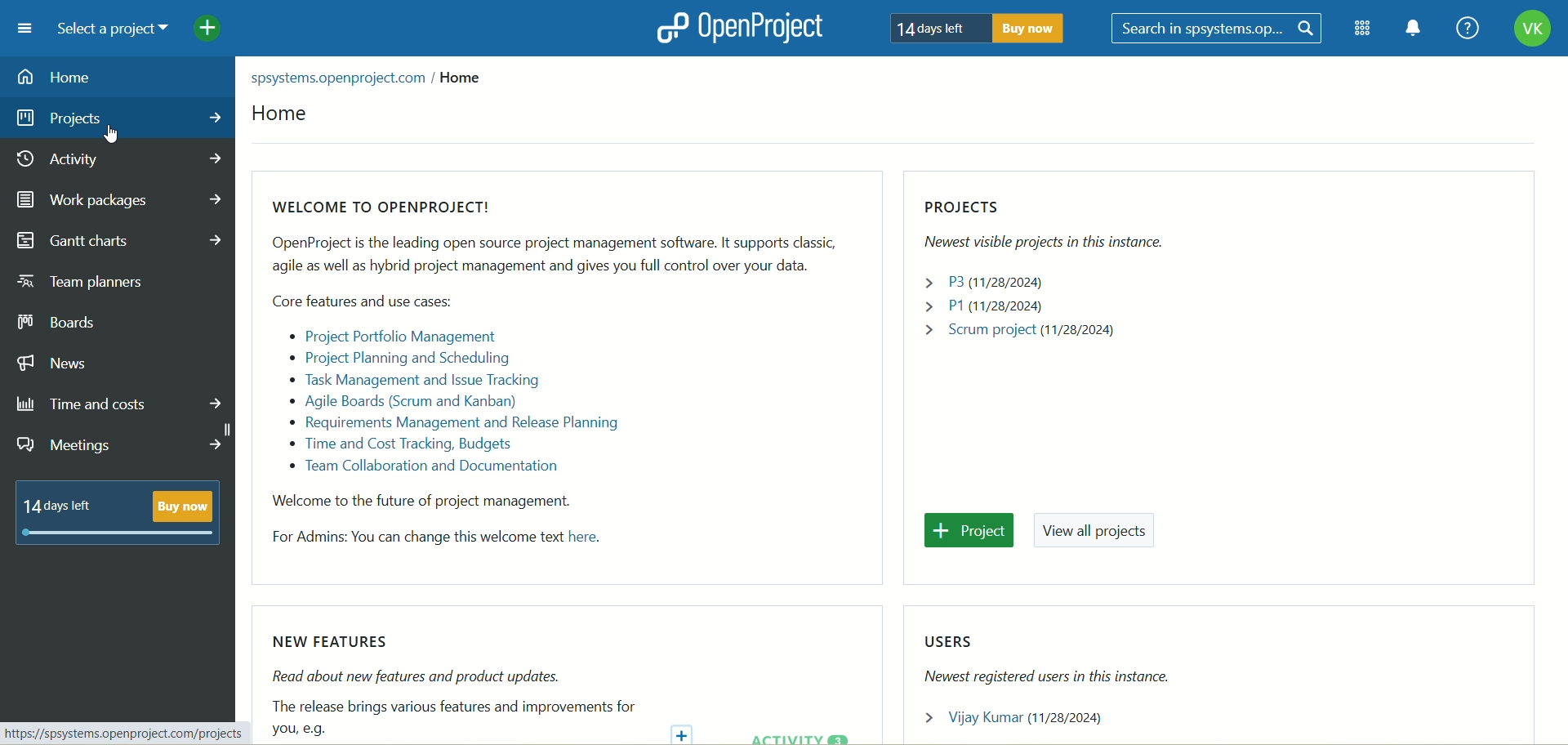 This screenshot has height=745, width=1568. I want to click on menu, so click(19, 31).